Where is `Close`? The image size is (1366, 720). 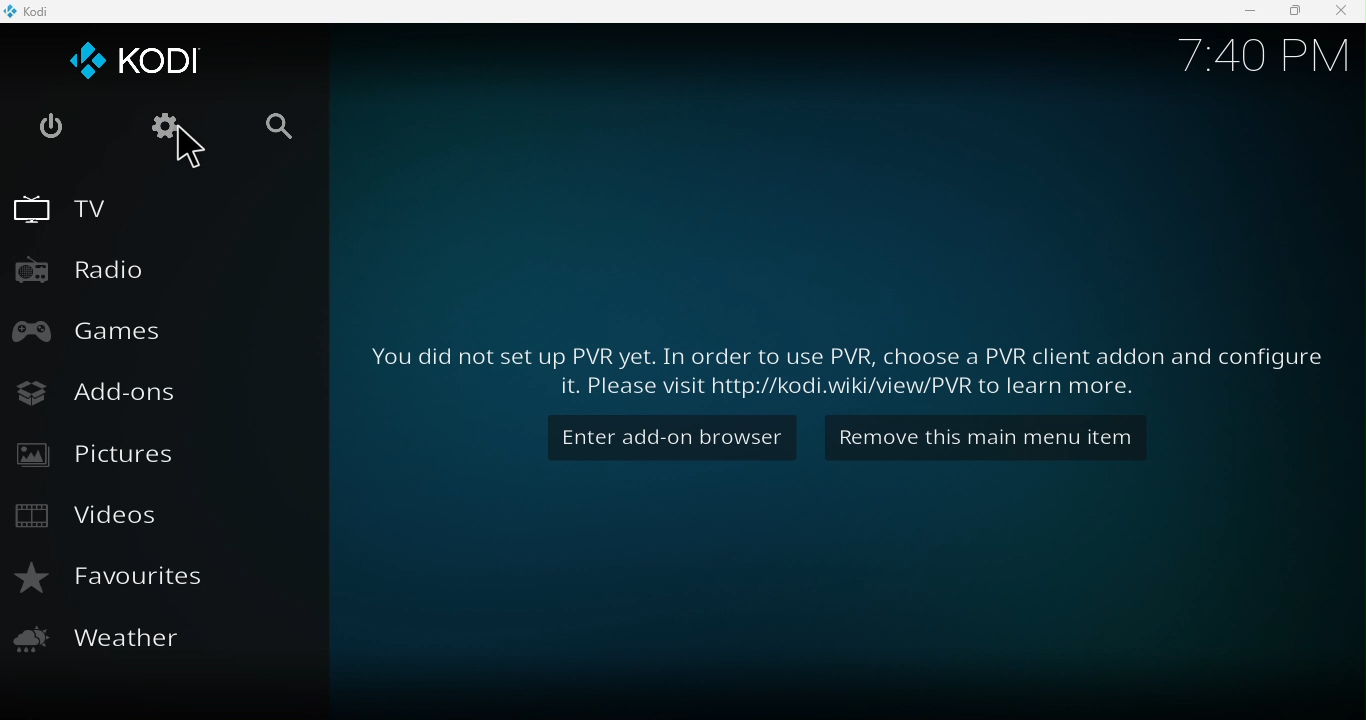
Close is located at coordinates (1340, 12).